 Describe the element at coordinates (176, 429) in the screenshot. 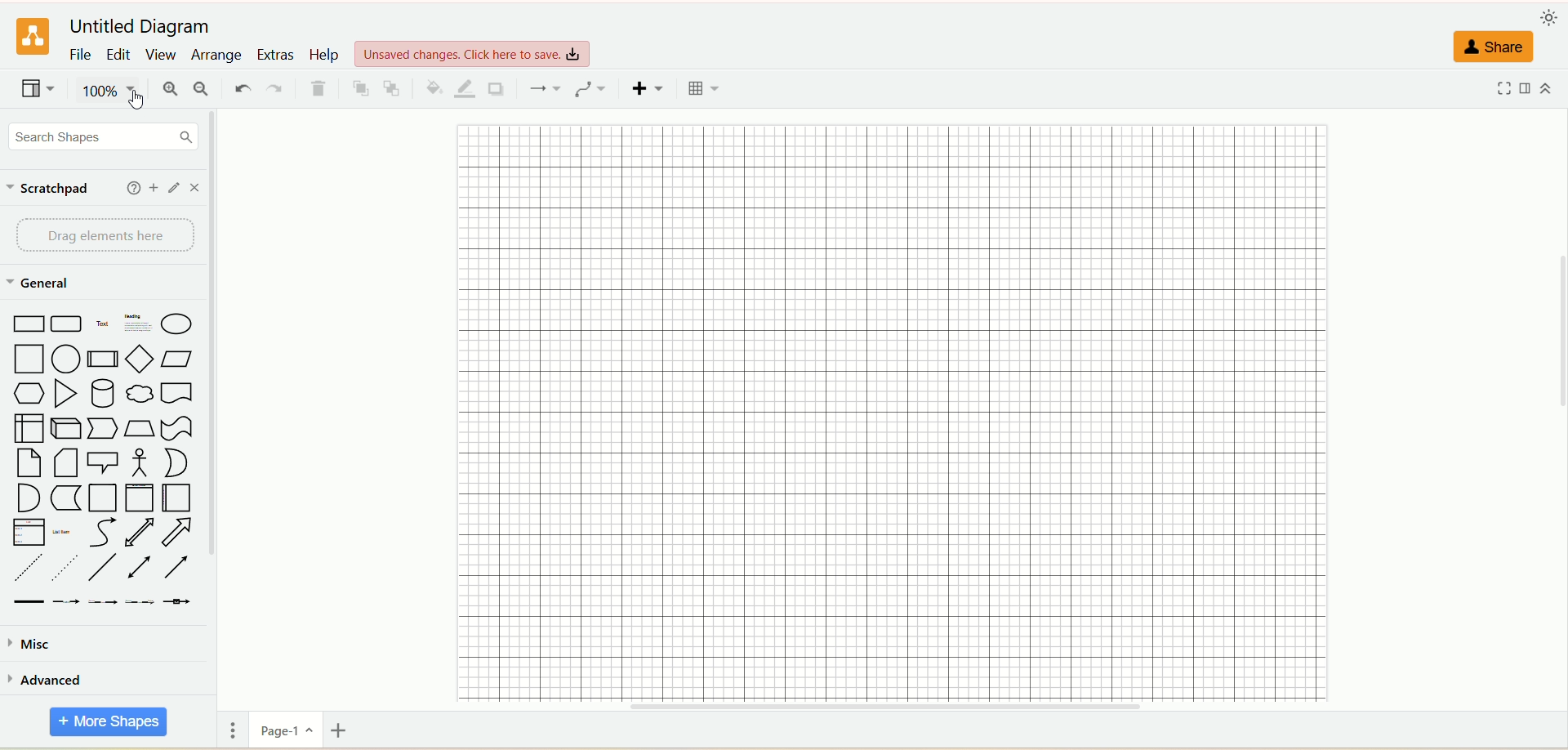

I see `tape` at that location.